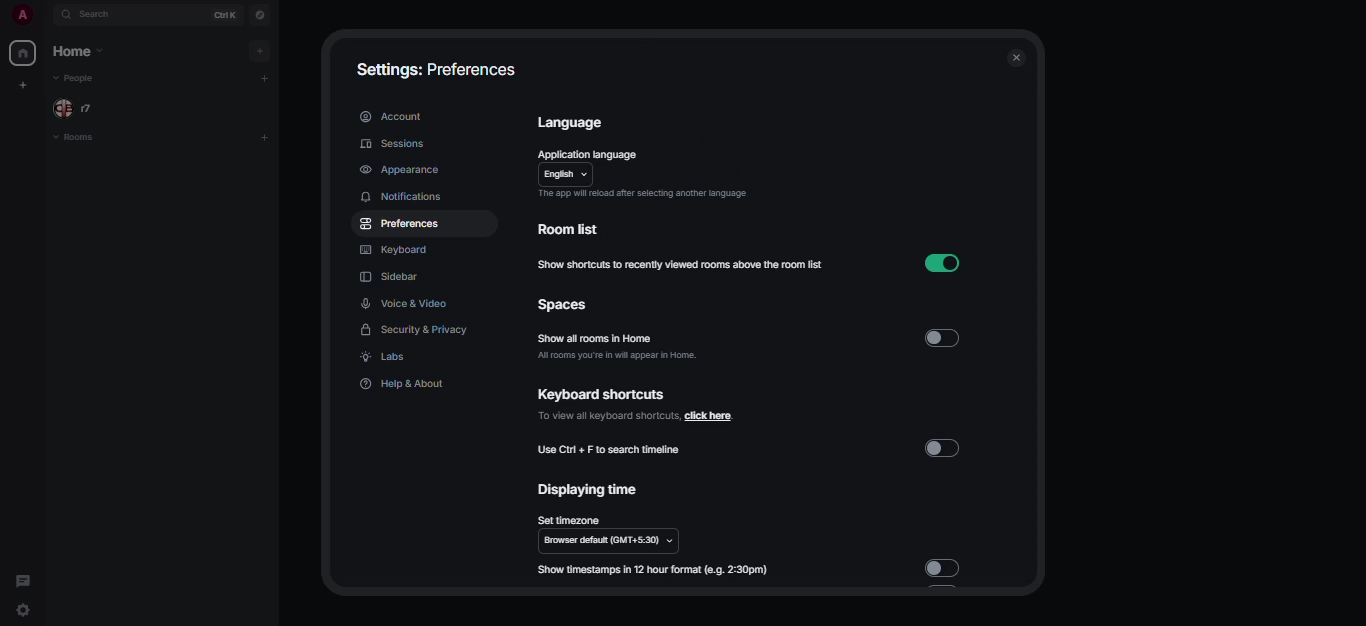 This screenshot has height=626, width=1366. I want to click on account, so click(393, 114).